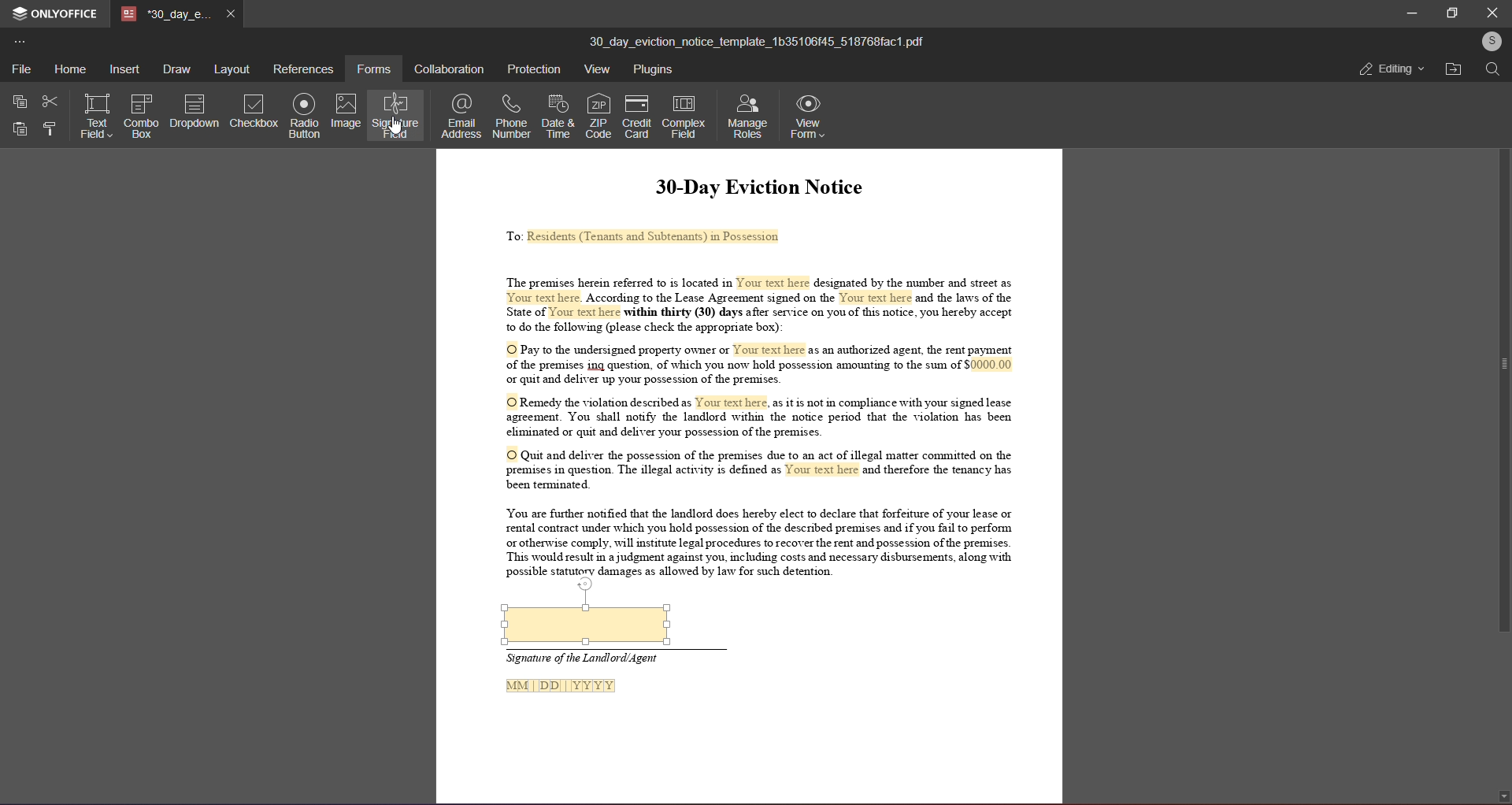 The height and width of the screenshot is (805, 1512). I want to click on image, so click(347, 110).